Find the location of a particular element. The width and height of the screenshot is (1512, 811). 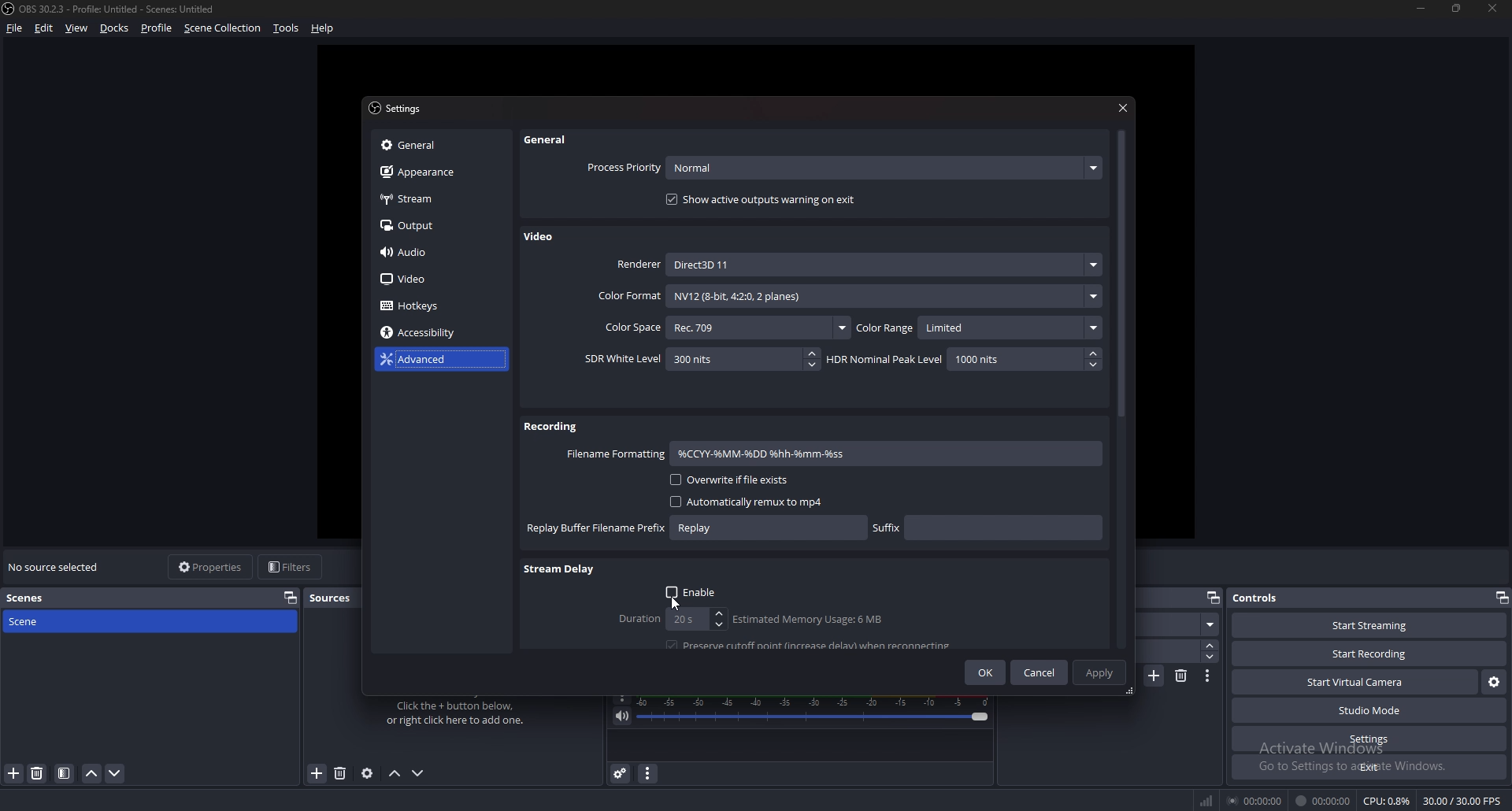

cancel is located at coordinates (1040, 674).